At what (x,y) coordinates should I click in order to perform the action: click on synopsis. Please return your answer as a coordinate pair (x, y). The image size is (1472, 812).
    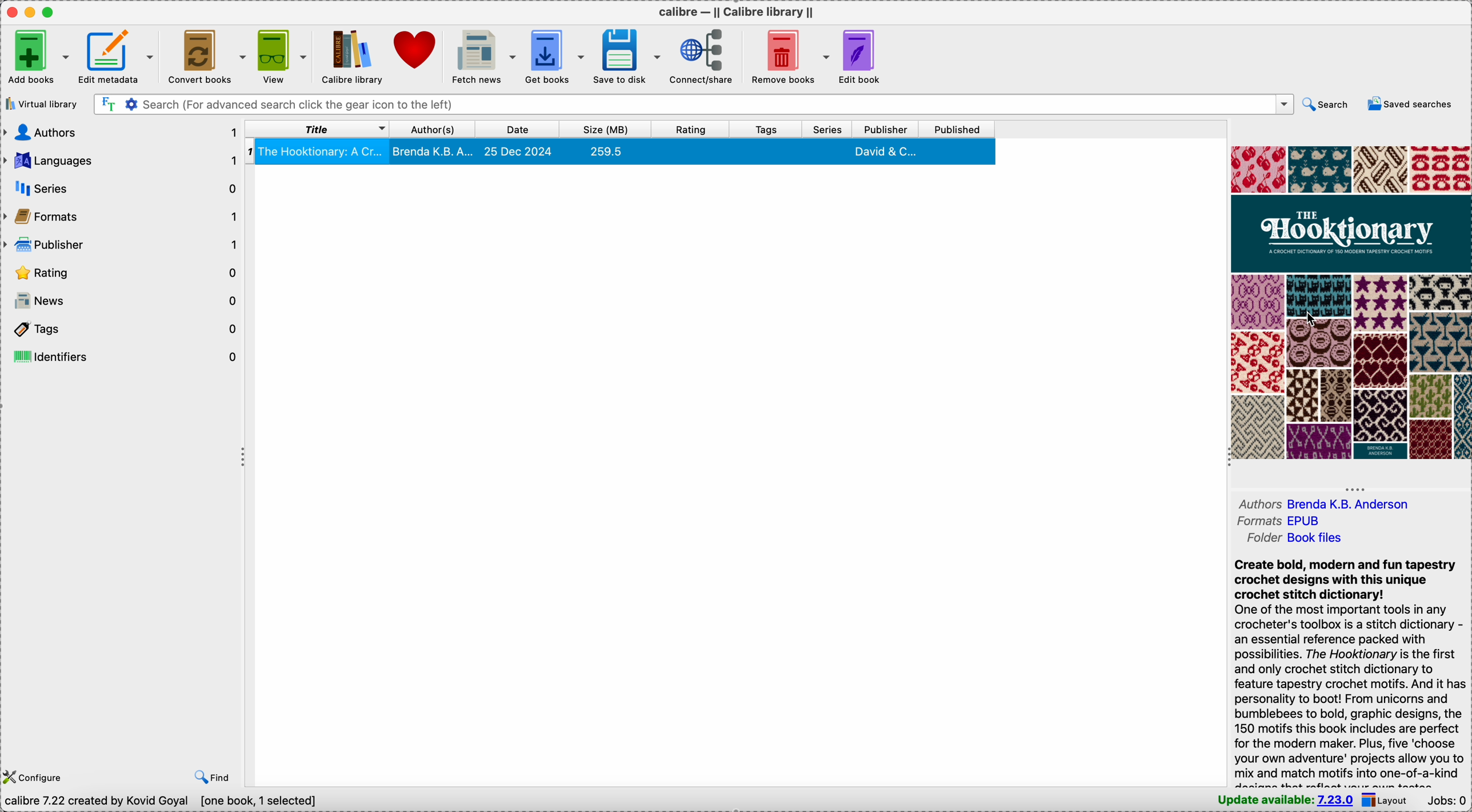
    Looking at the image, I should click on (1351, 672).